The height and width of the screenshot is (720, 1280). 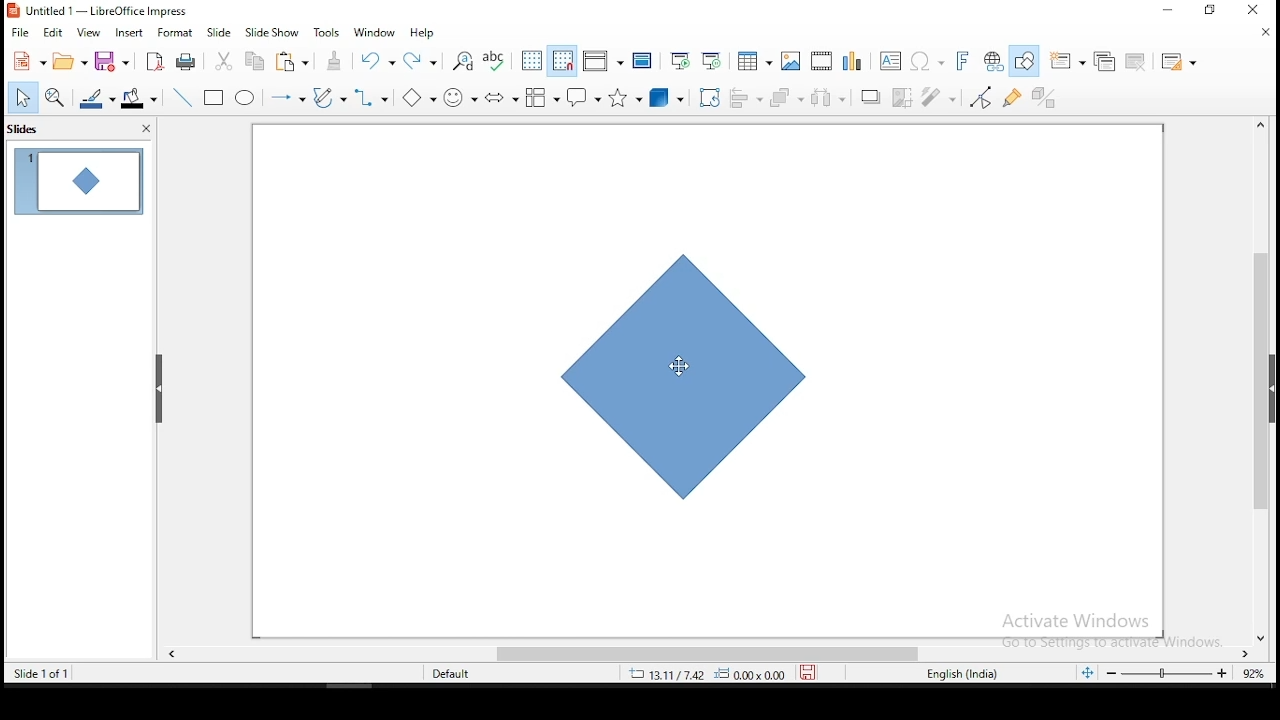 I want to click on master slide, so click(x=642, y=61).